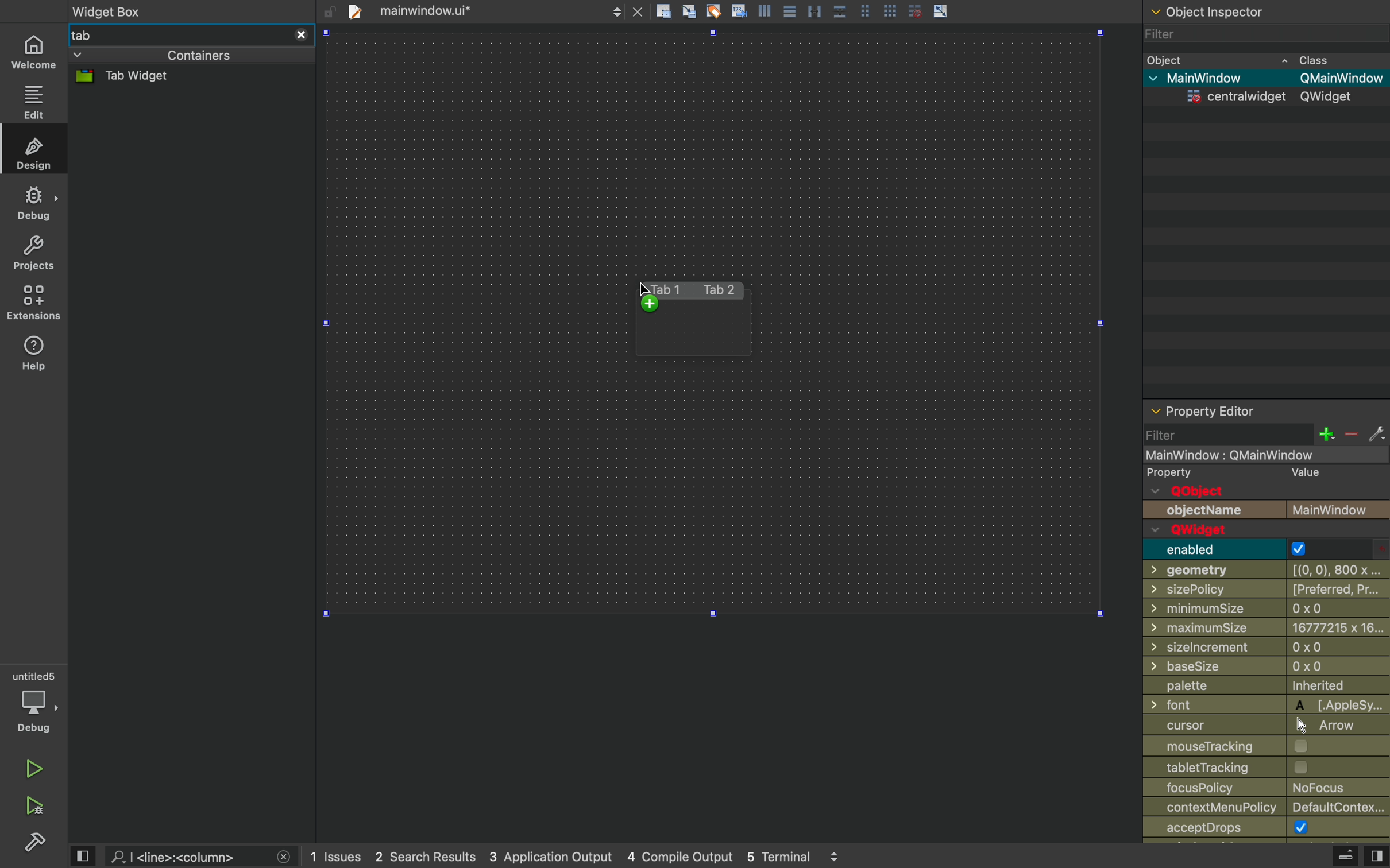 This screenshot has height=868, width=1390. I want to click on tab, so click(465, 10).